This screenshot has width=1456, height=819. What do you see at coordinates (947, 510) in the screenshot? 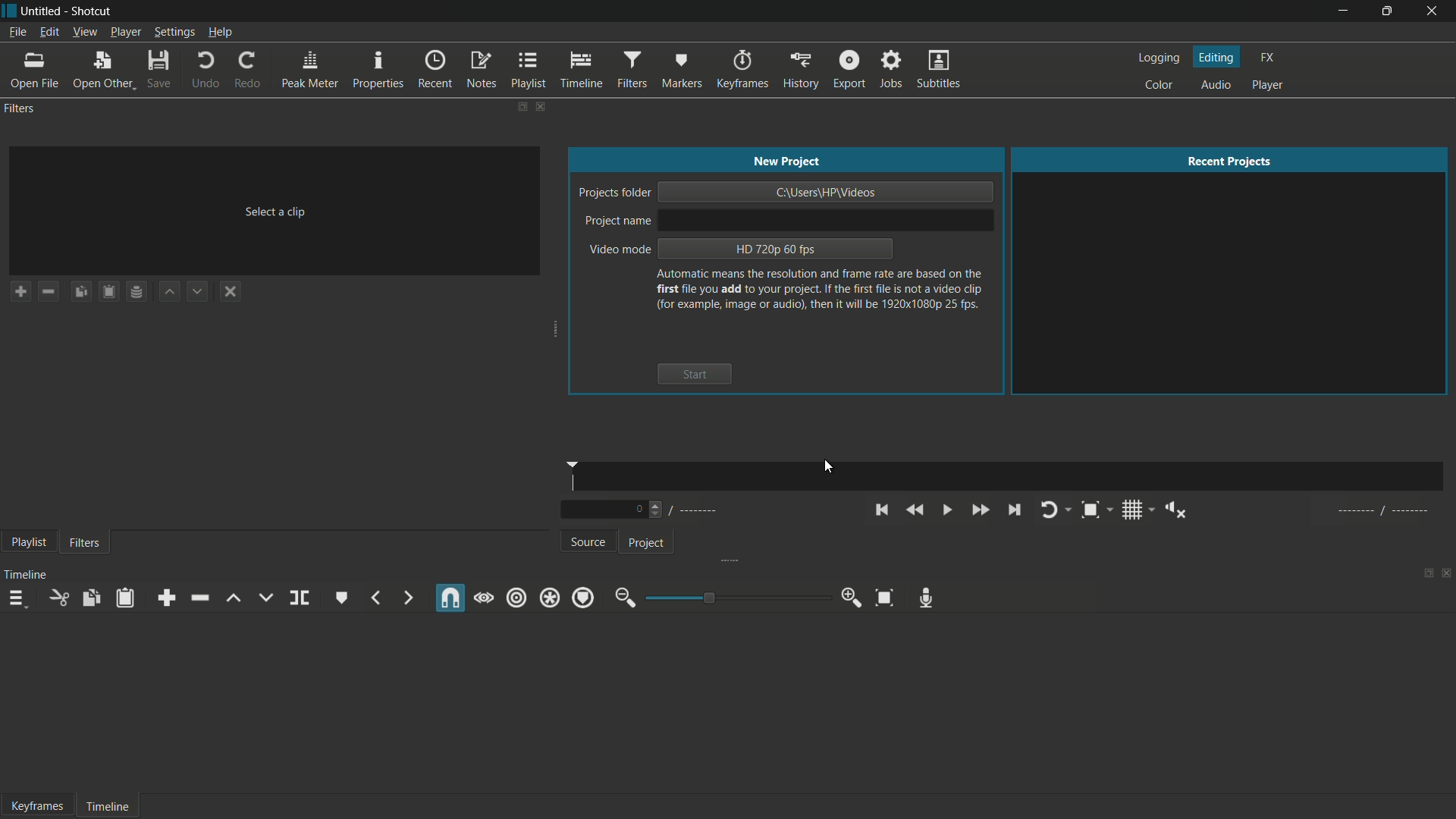
I see `toggle play or pause` at bounding box center [947, 510].